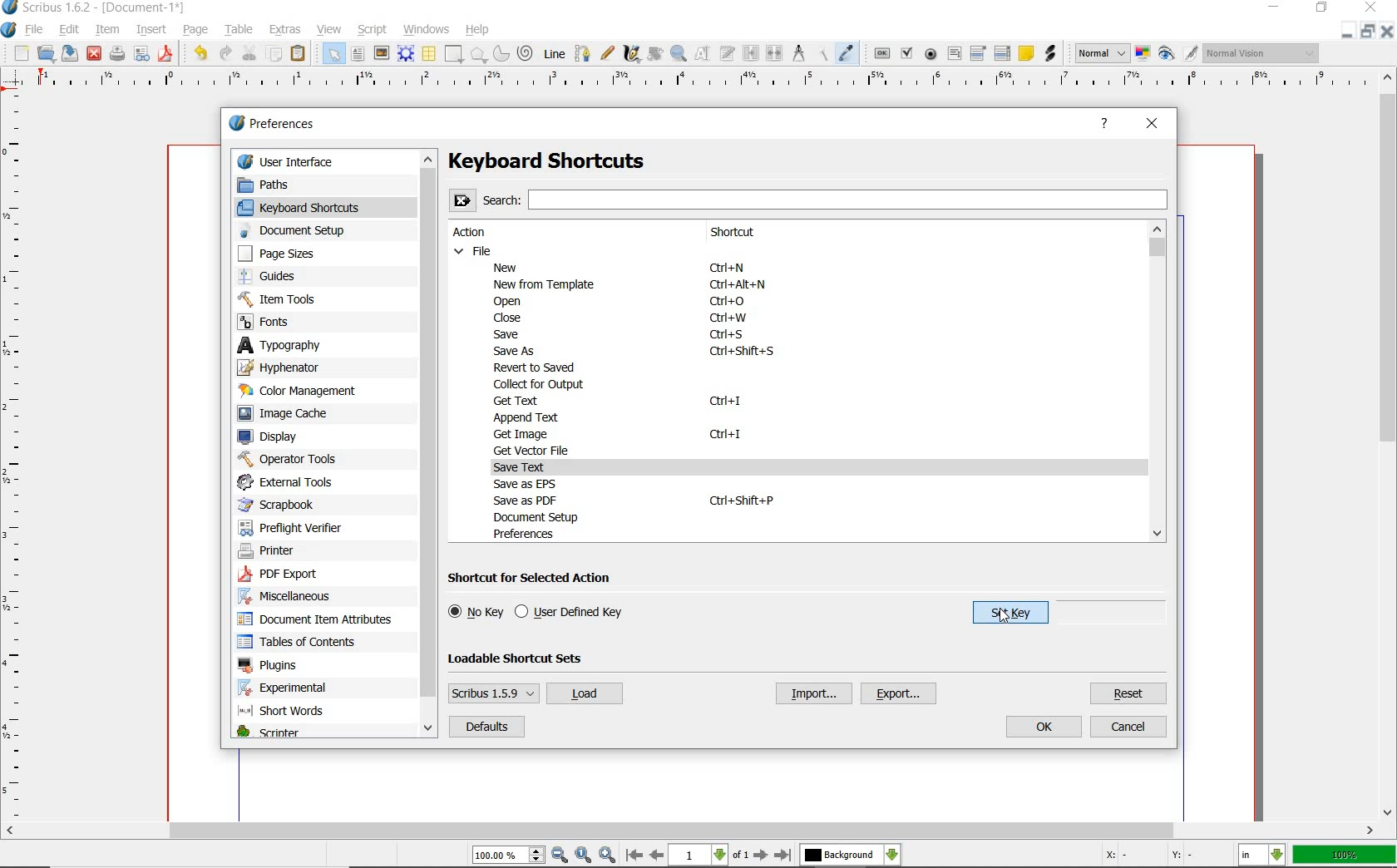 The width and height of the screenshot is (1397, 868). I want to click on restore, so click(1323, 7).